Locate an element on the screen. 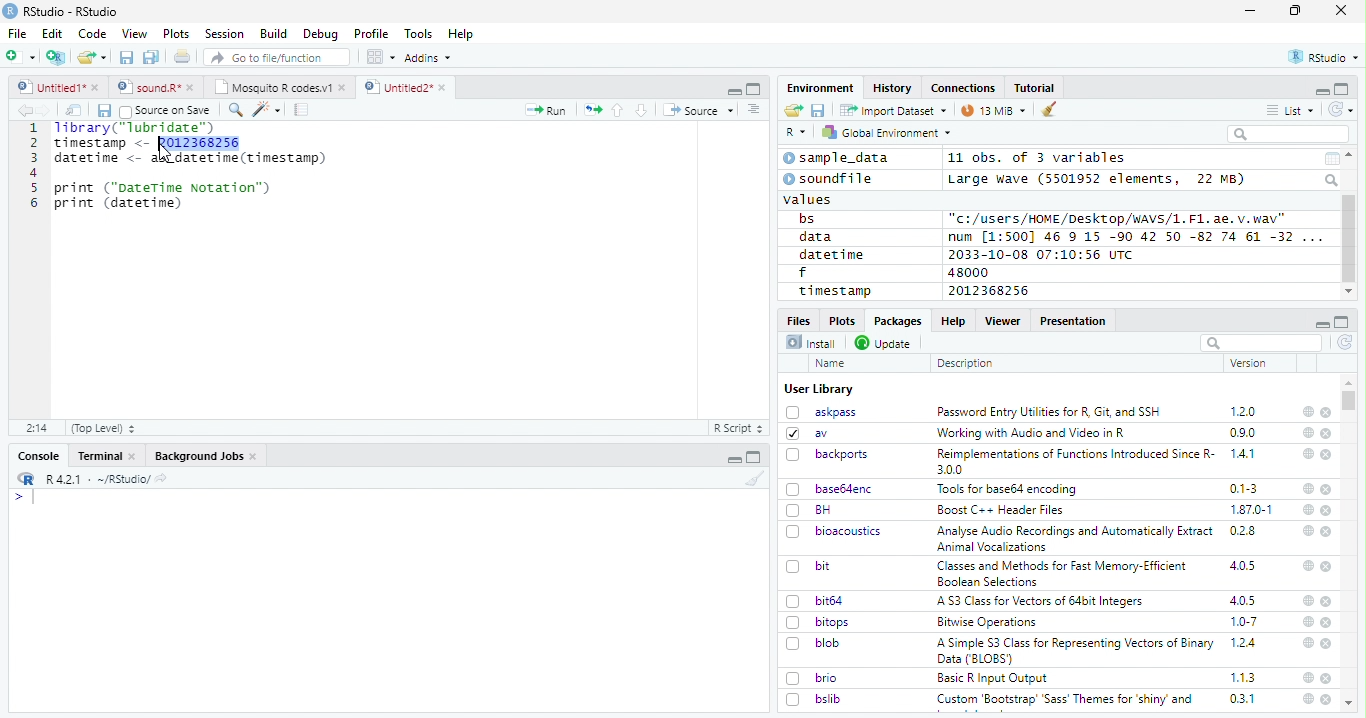 Image resolution: width=1366 pixels, height=718 pixels. Description is located at coordinates (966, 363).